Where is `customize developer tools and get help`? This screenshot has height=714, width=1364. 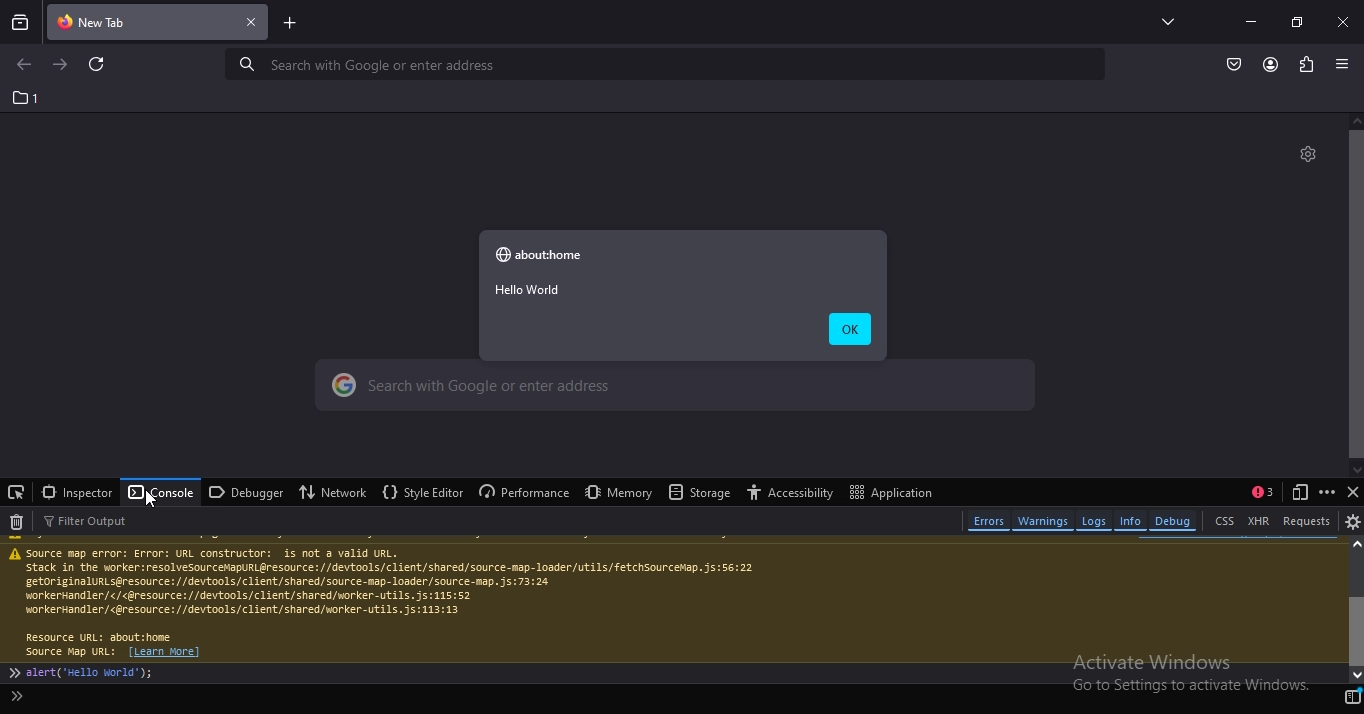 customize developer tools and get help is located at coordinates (1328, 492).